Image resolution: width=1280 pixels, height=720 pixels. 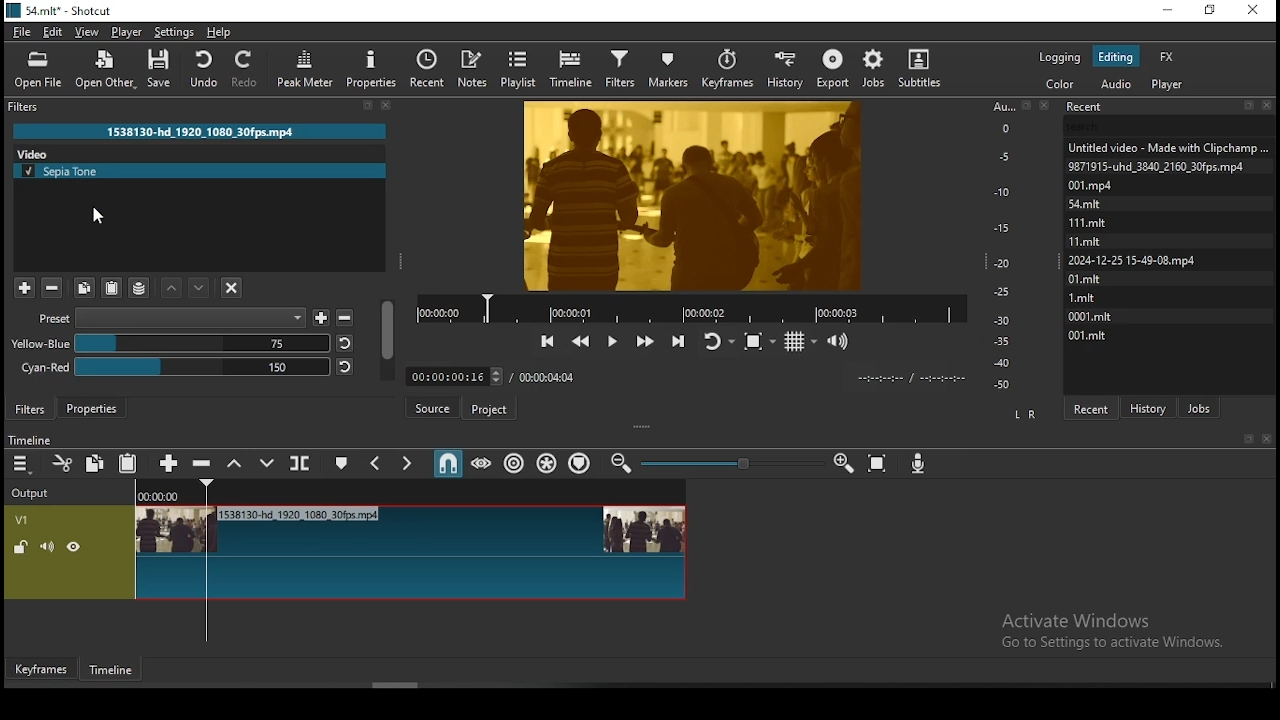 I want to click on Recent, so click(x=1171, y=104).